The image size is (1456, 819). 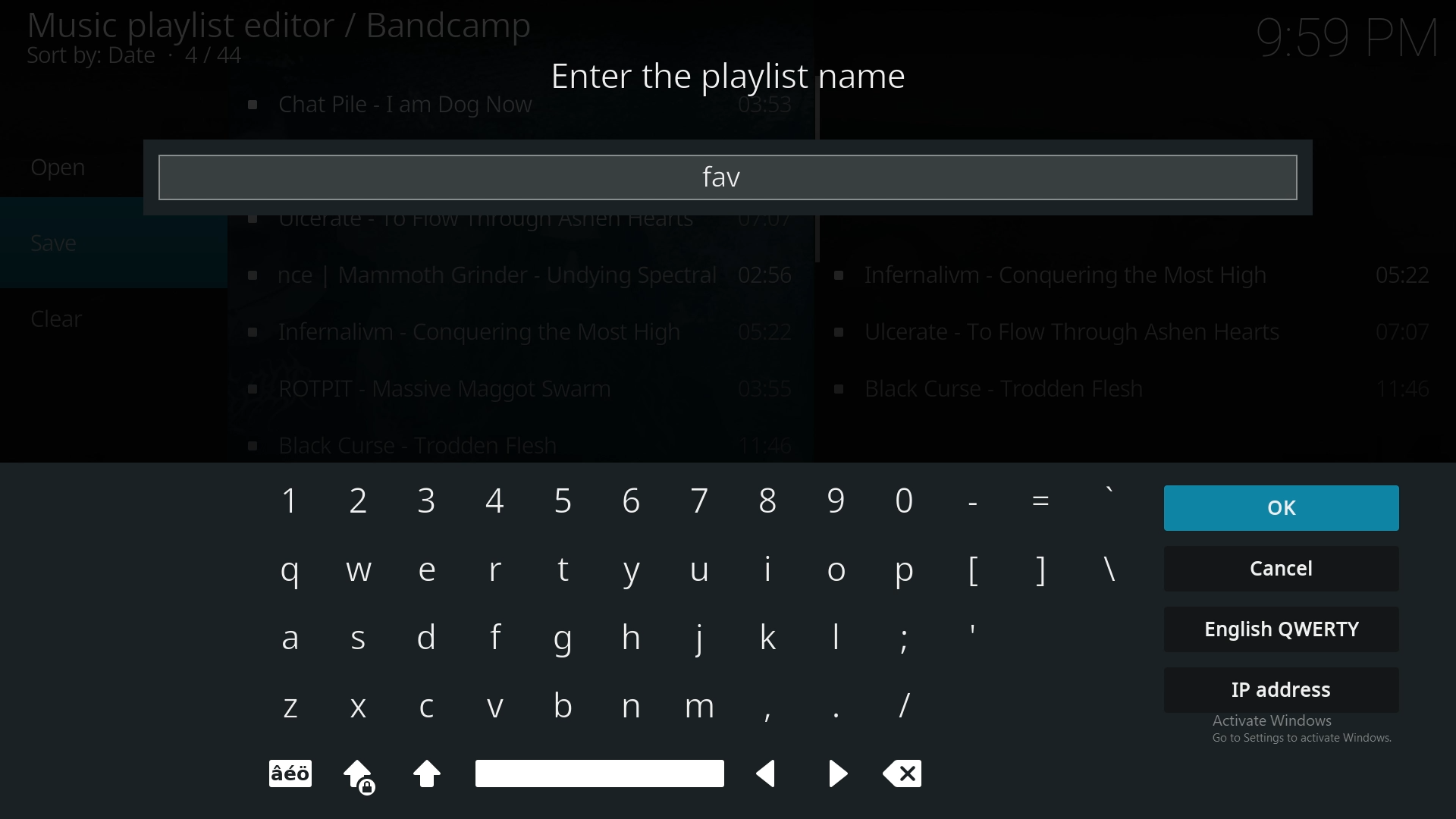 What do you see at coordinates (500, 634) in the screenshot?
I see `keyboard input` at bounding box center [500, 634].